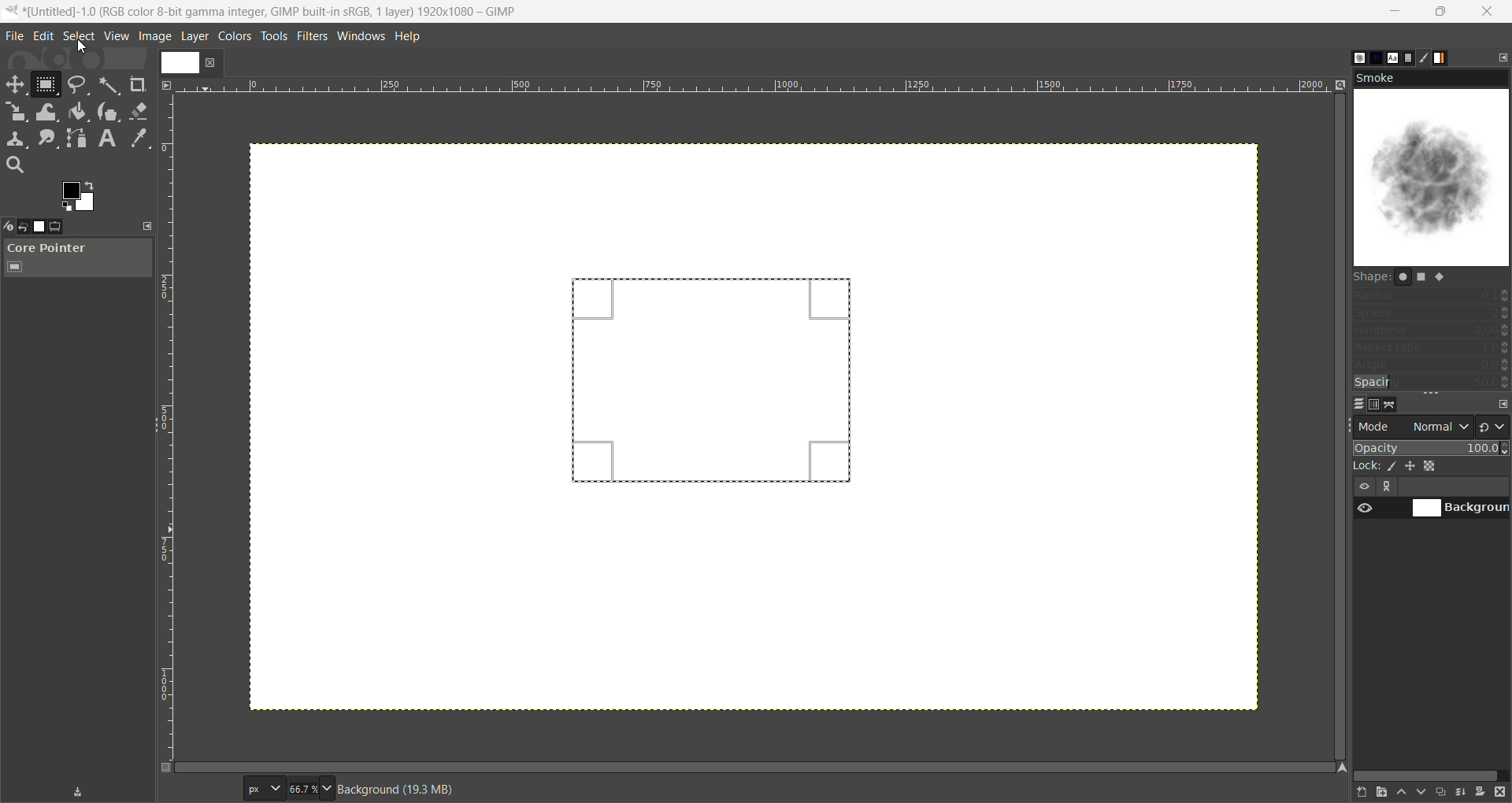  I want to click on cursor, so click(83, 47).